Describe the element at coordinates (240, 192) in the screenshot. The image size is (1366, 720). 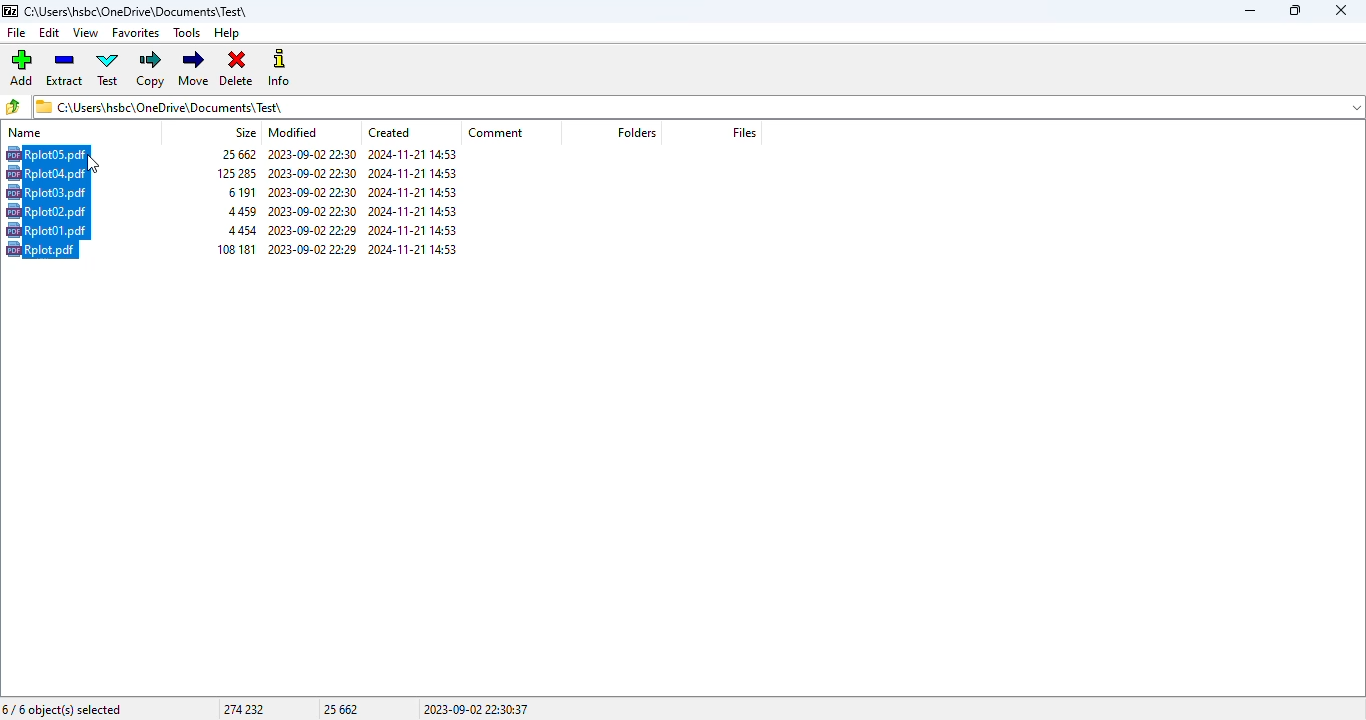
I see `size` at that location.